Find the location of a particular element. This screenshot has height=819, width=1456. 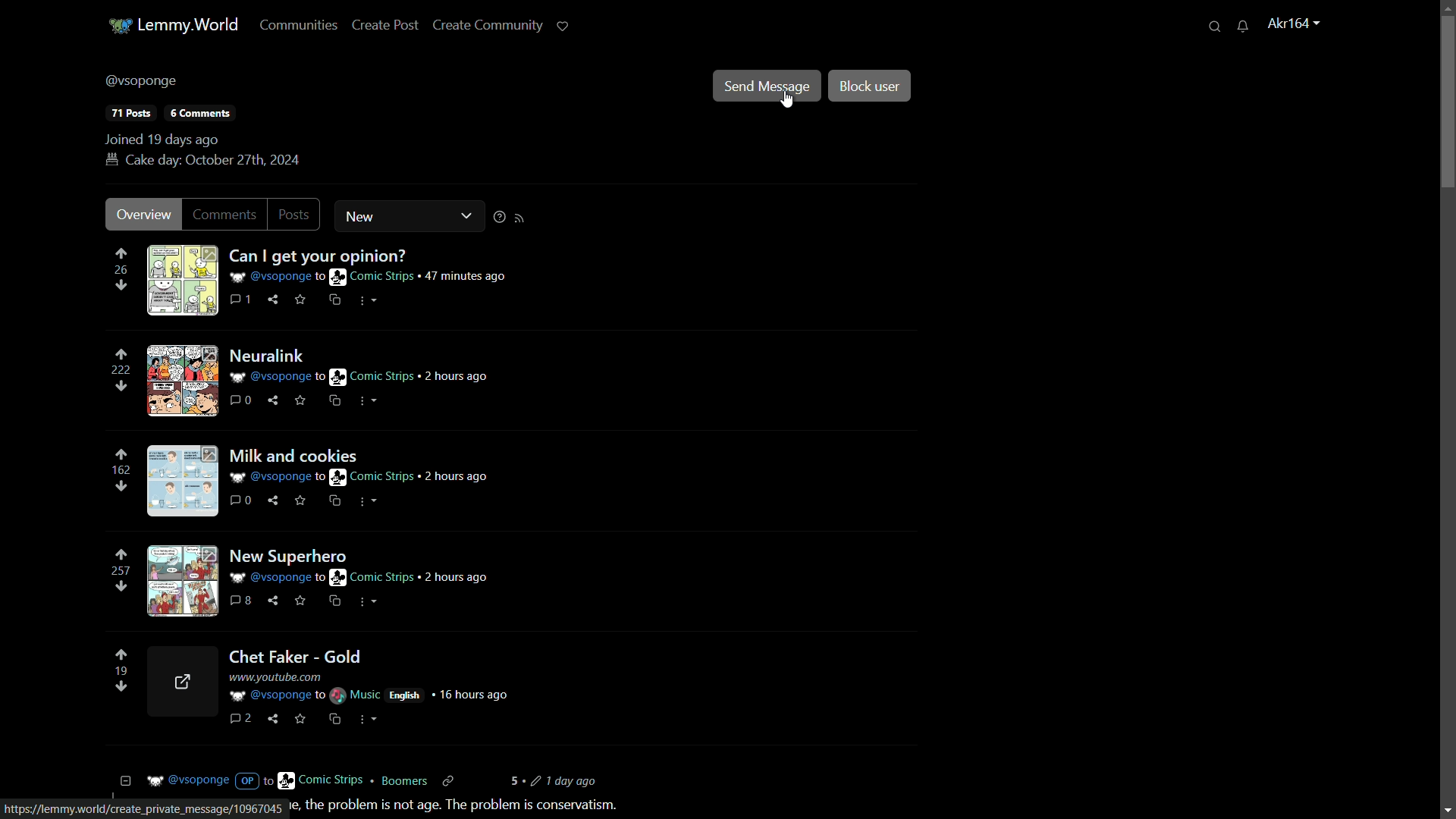

upvote is located at coordinates (121, 455).